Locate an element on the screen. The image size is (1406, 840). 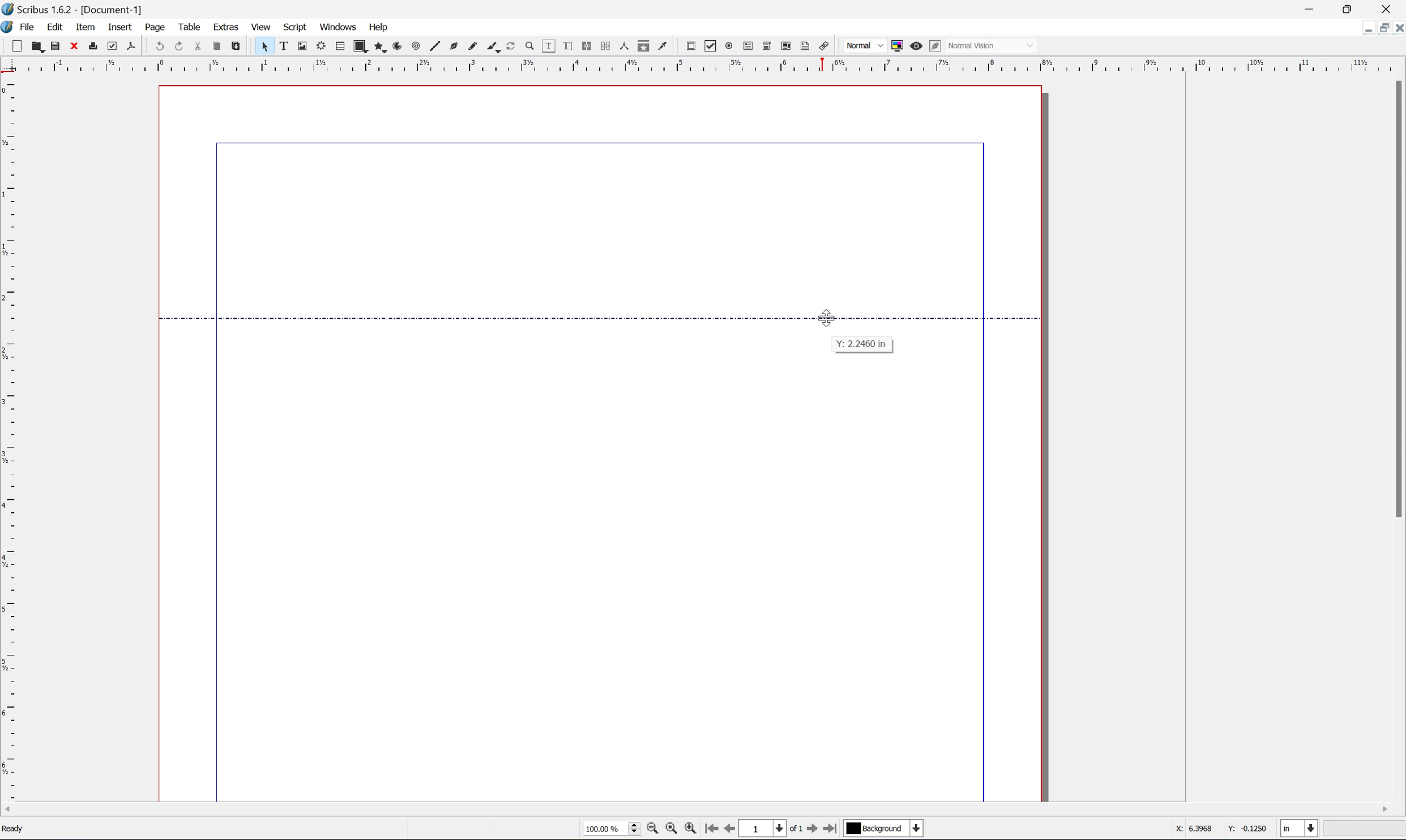
select current zoom level is located at coordinates (612, 831).